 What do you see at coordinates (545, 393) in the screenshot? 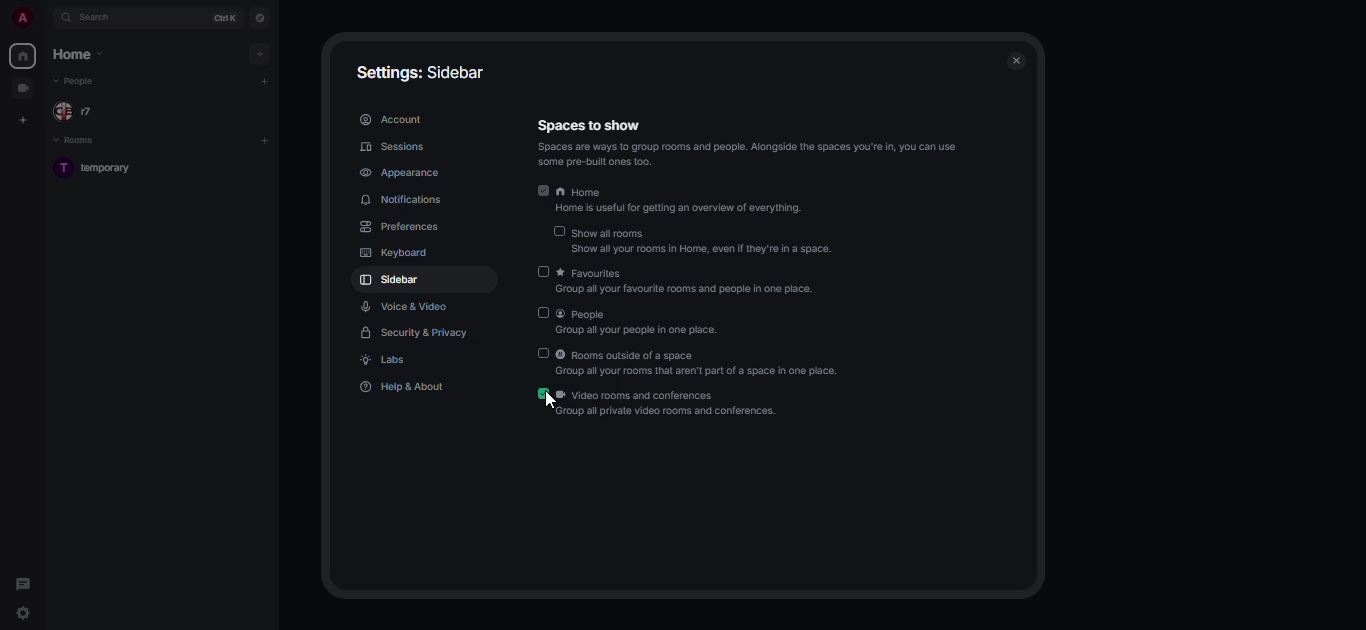
I see `enabled` at bounding box center [545, 393].